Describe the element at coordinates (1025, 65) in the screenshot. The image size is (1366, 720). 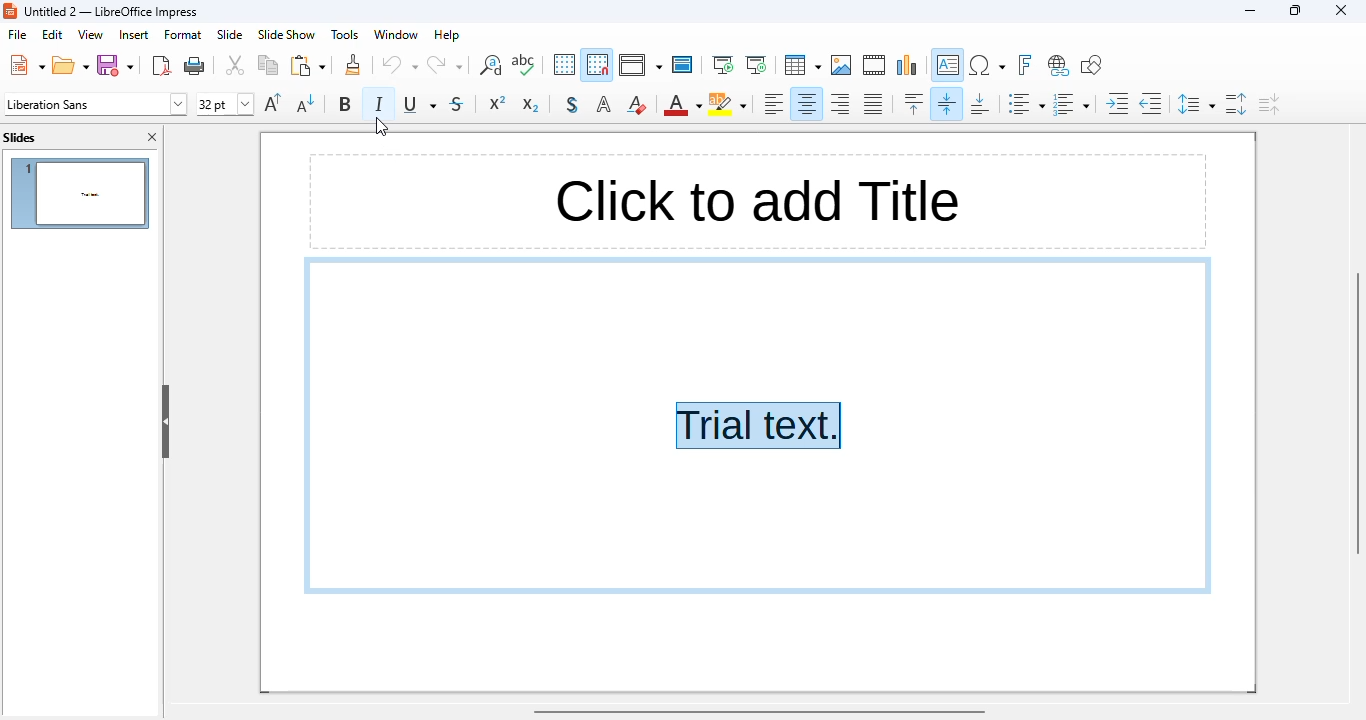
I see `insert fontwork text` at that location.